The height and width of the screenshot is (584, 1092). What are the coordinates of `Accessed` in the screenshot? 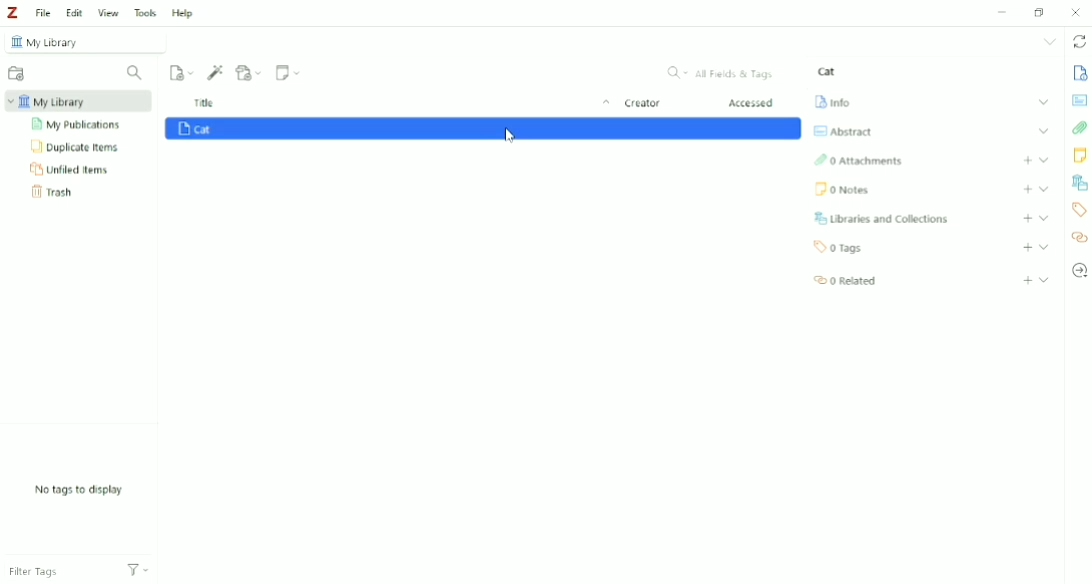 It's located at (752, 103).